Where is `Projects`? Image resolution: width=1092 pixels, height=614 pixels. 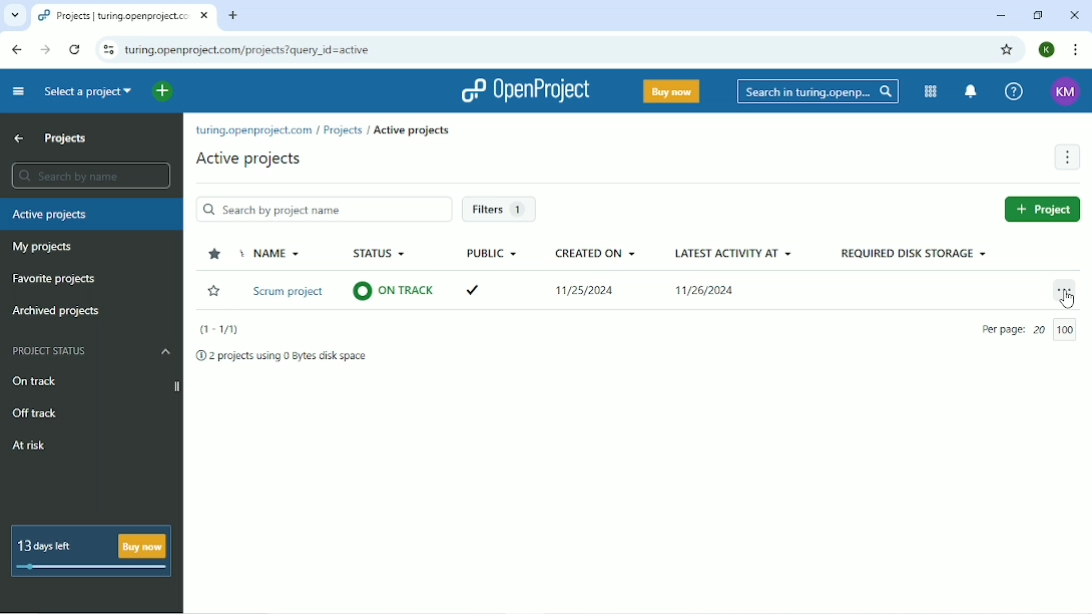 Projects is located at coordinates (66, 138).